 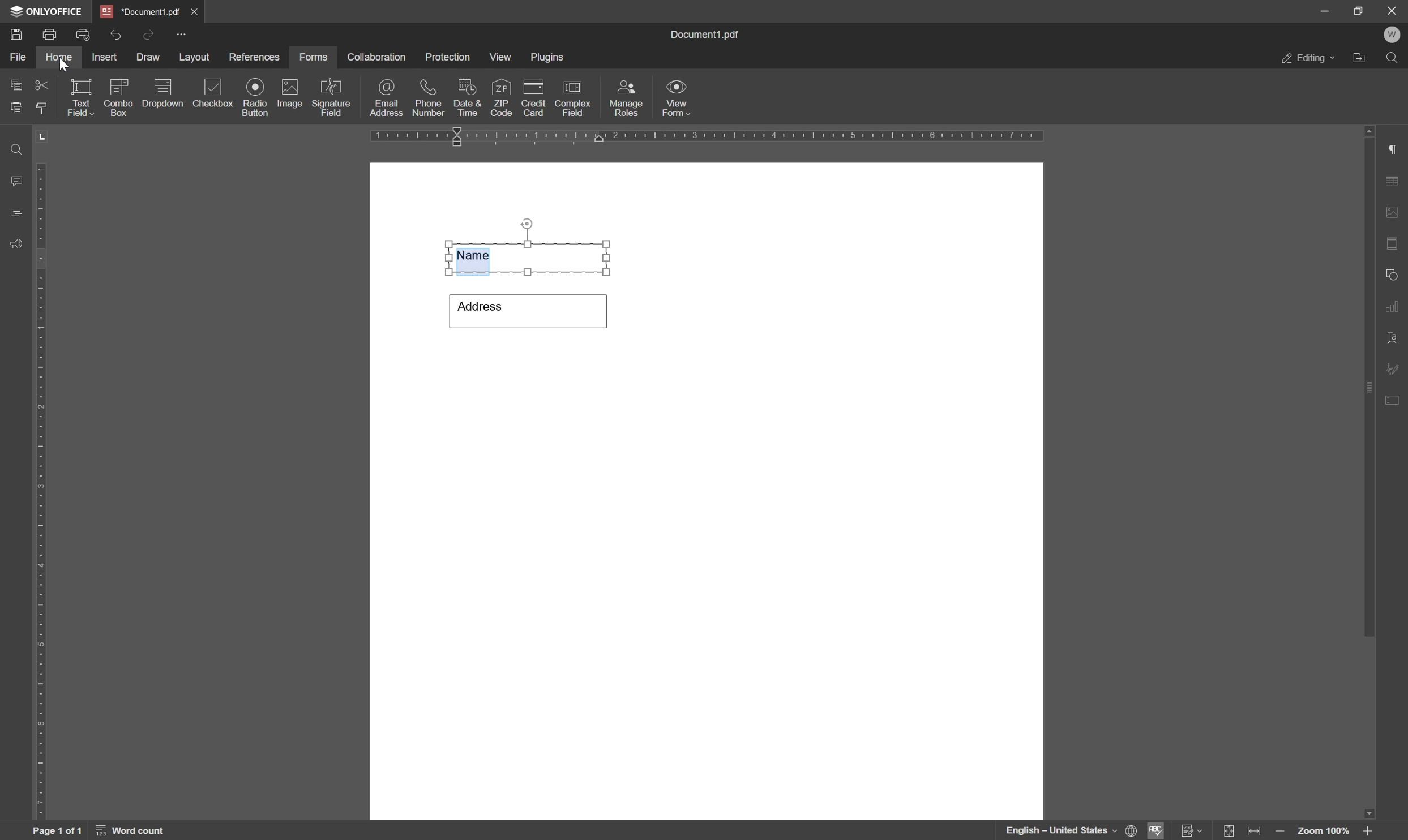 What do you see at coordinates (1228, 831) in the screenshot?
I see `fit to slide` at bounding box center [1228, 831].